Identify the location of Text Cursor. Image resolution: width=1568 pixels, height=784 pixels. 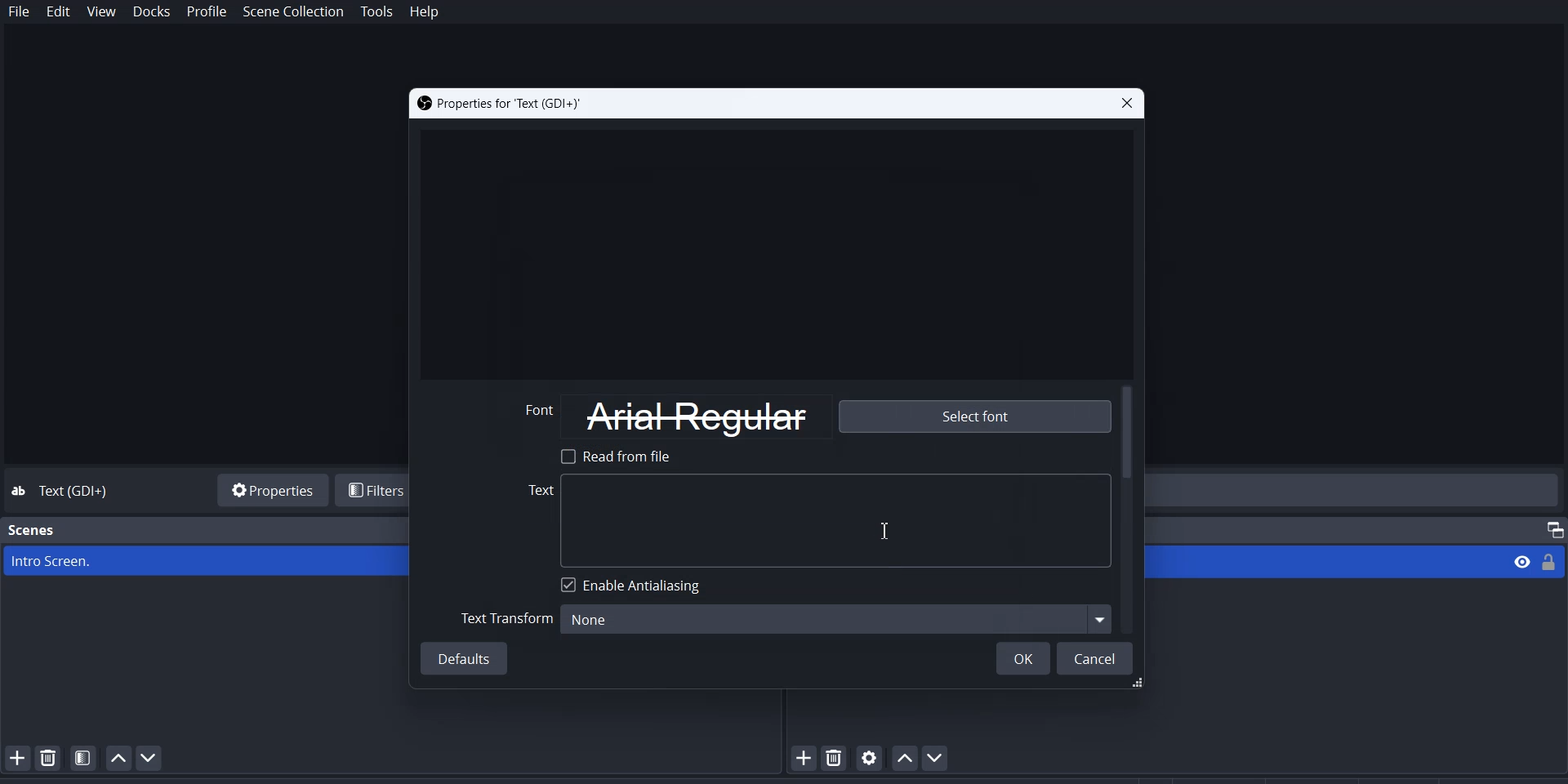
(886, 528).